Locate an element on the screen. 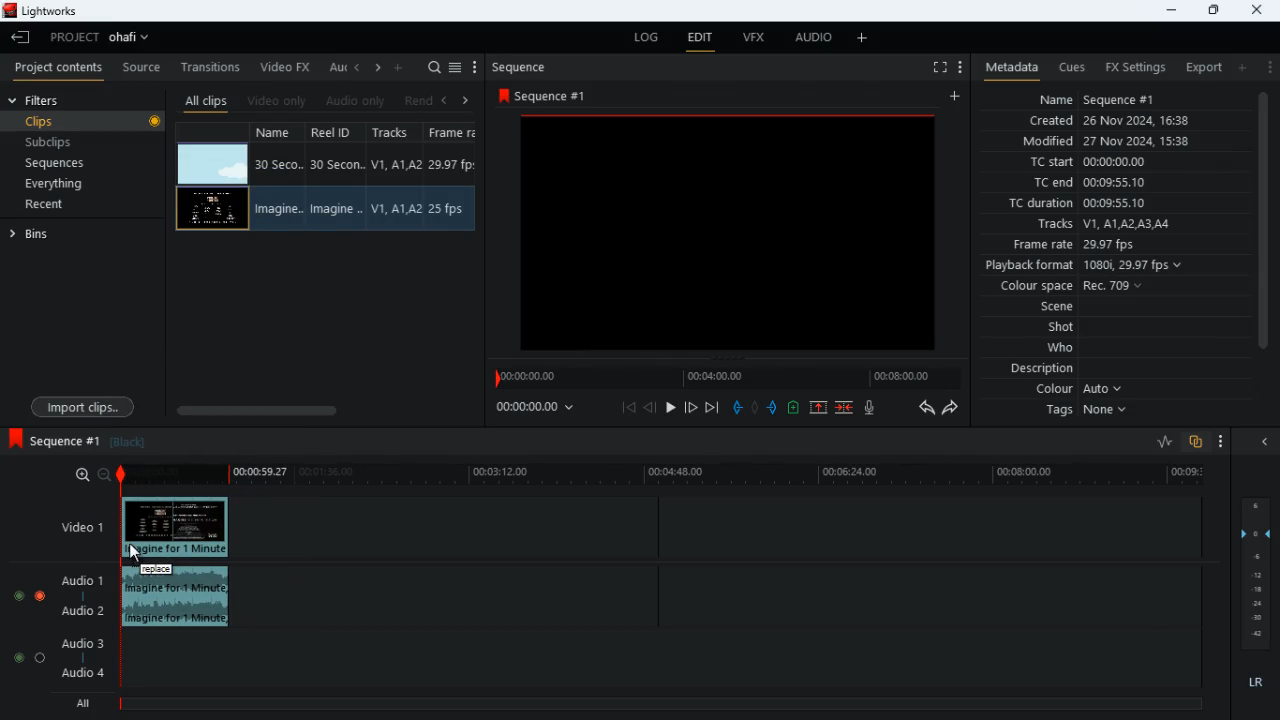  description is located at coordinates (1034, 370).